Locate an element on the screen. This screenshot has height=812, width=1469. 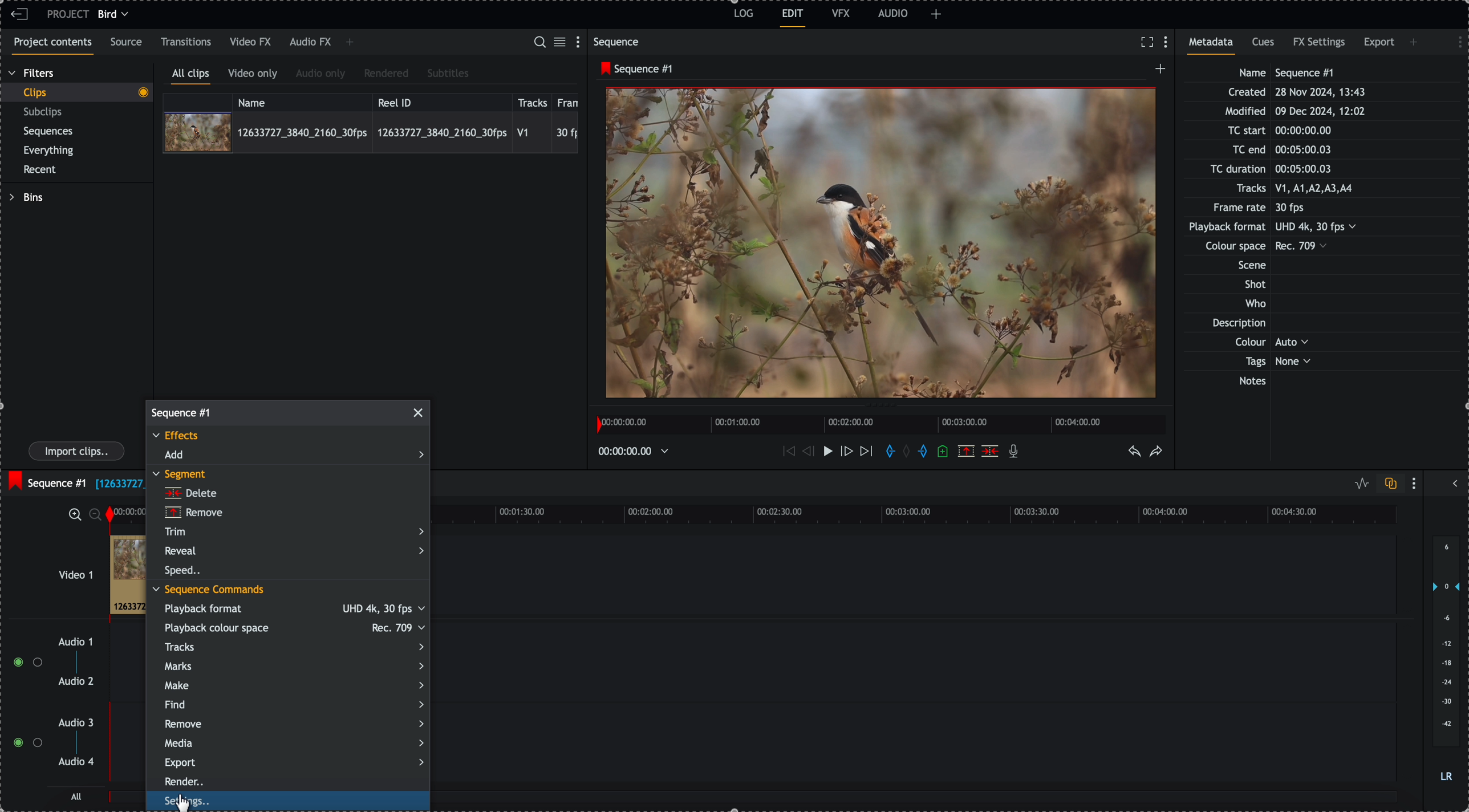
add panel is located at coordinates (936, 14).